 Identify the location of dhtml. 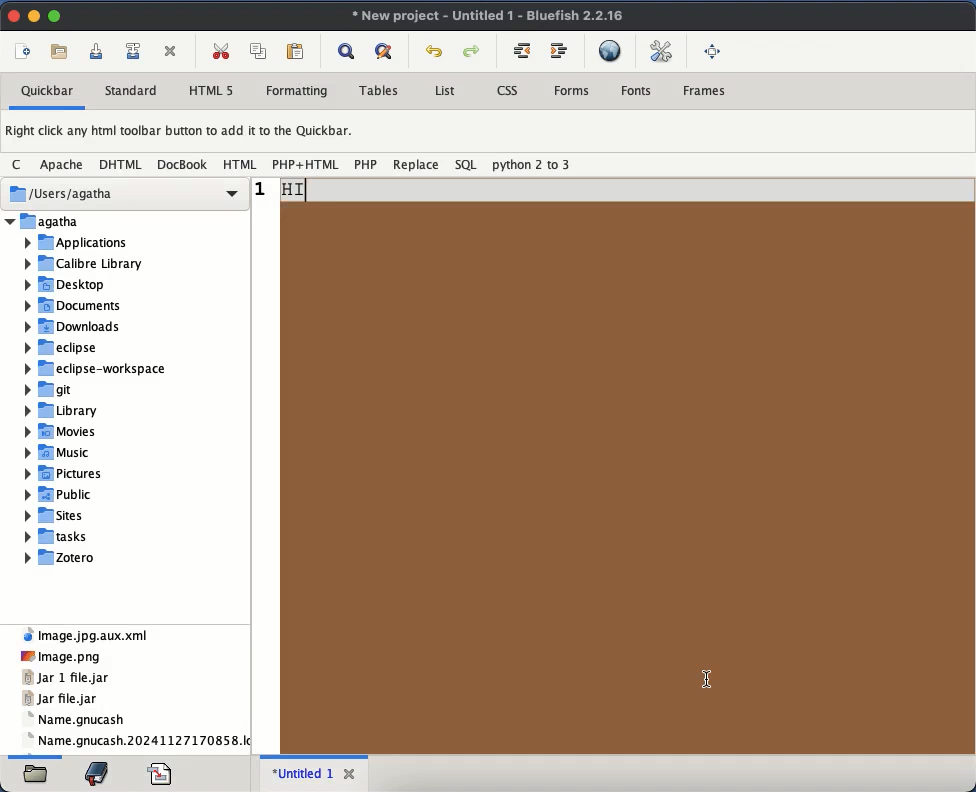
(123, 165).